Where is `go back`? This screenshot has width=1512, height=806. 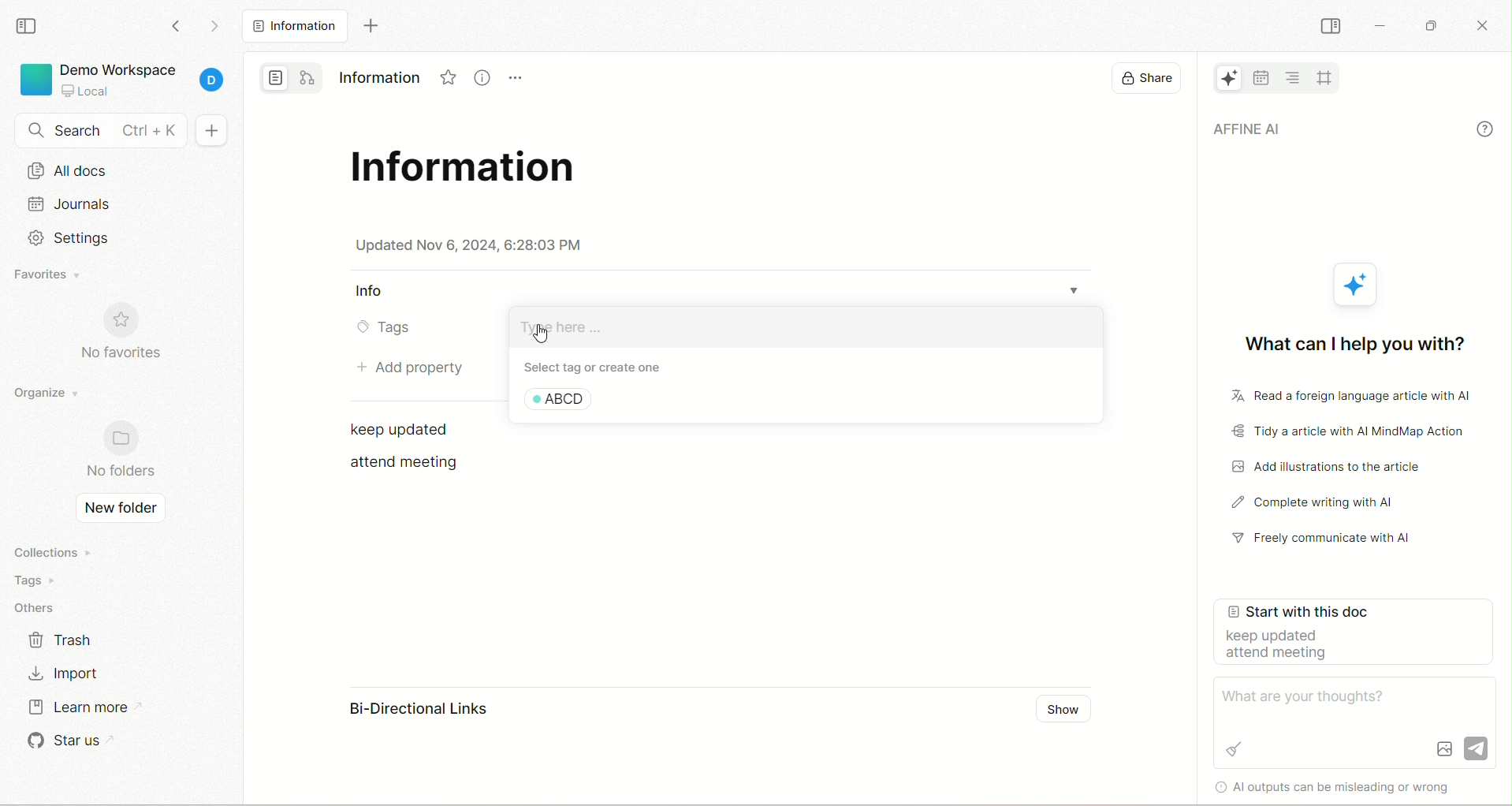
go back is located at coordinates (177, 31).